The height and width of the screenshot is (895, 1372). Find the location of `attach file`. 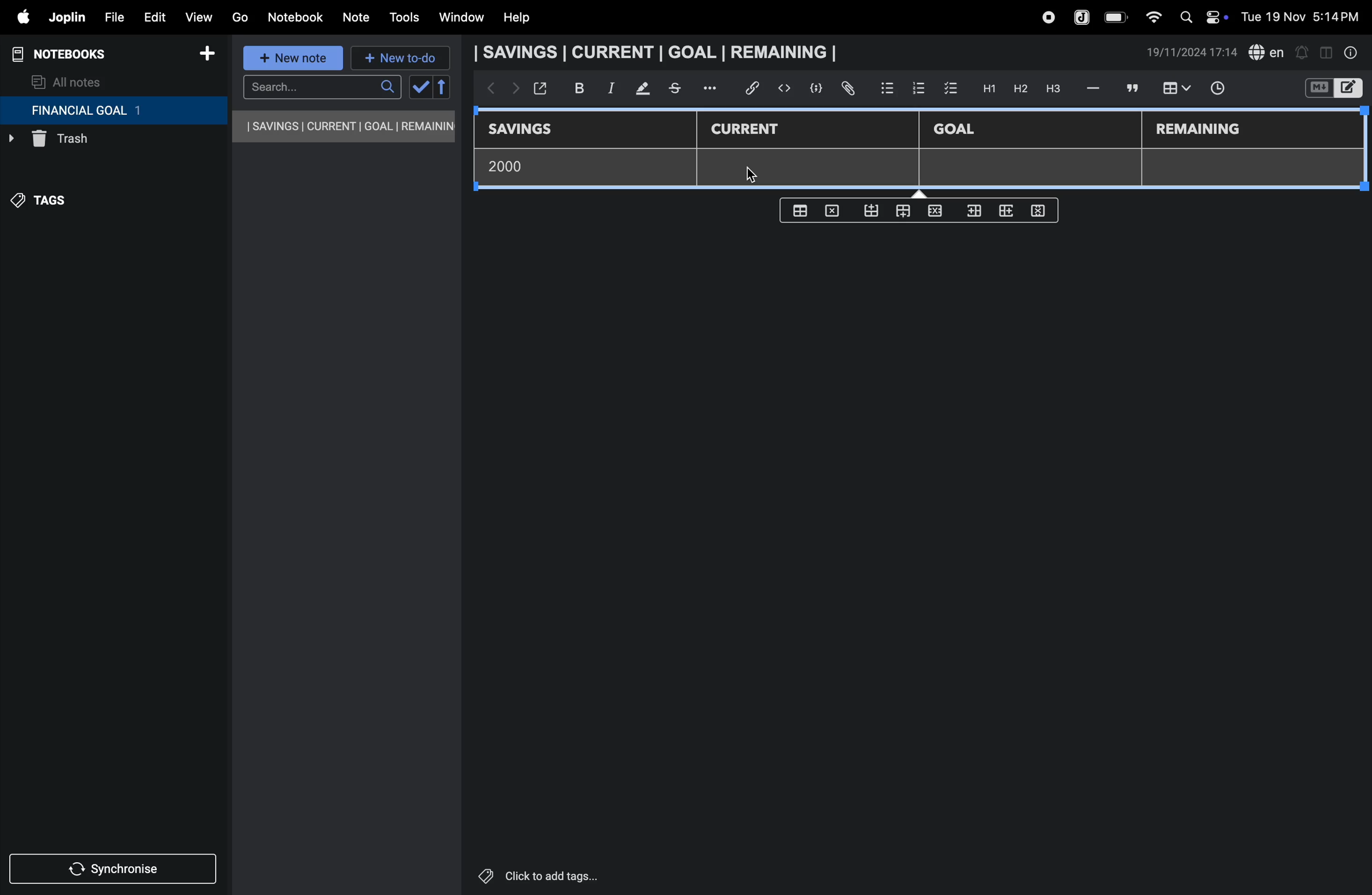

attach file is located at coordinates (847, 89).